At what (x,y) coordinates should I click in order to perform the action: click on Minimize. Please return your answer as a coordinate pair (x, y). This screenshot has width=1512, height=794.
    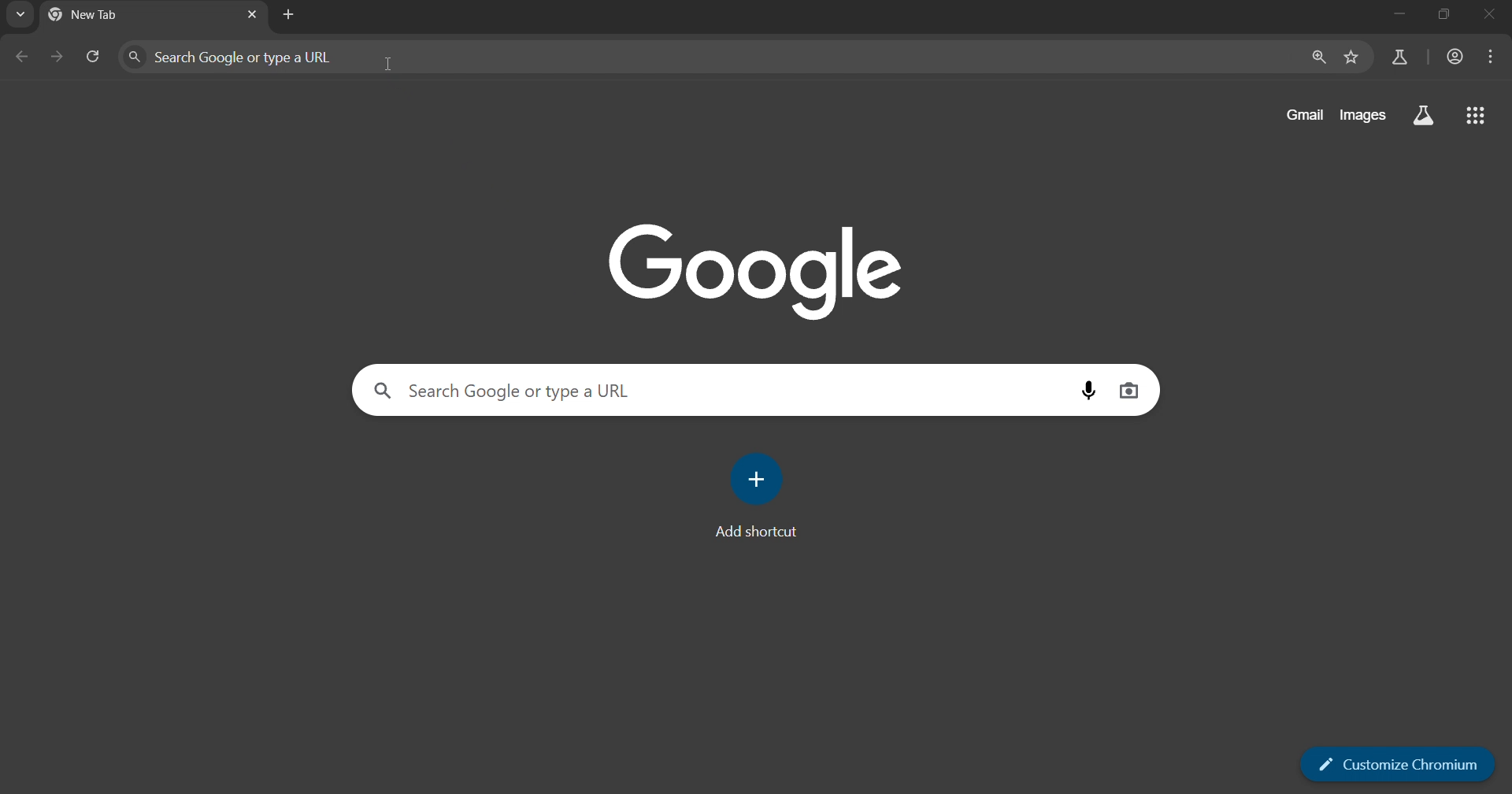
    Looking at the image, I should click on (1396, 17).